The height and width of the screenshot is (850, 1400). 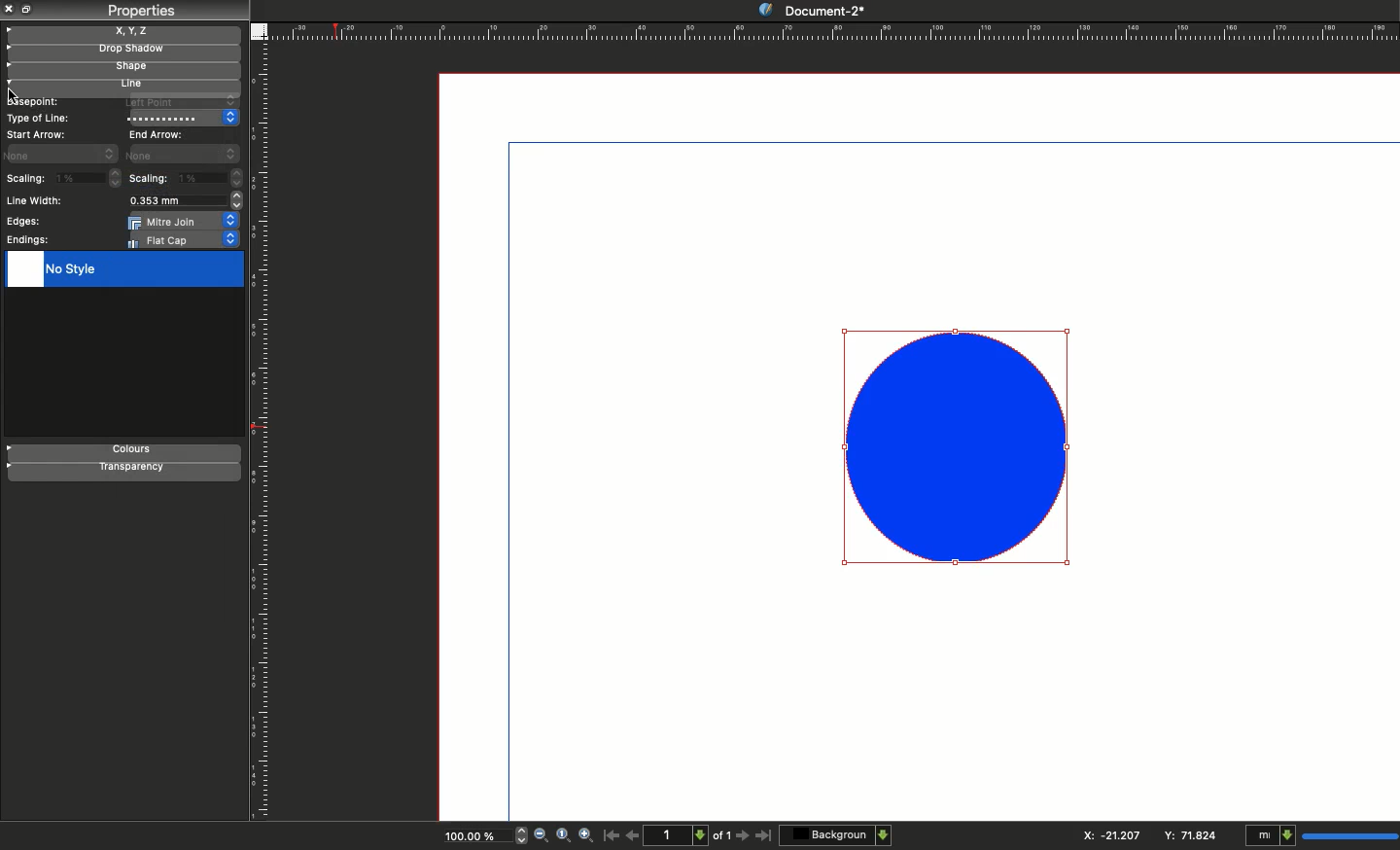 I want to click on End arrow, so click(x=159, y=133).